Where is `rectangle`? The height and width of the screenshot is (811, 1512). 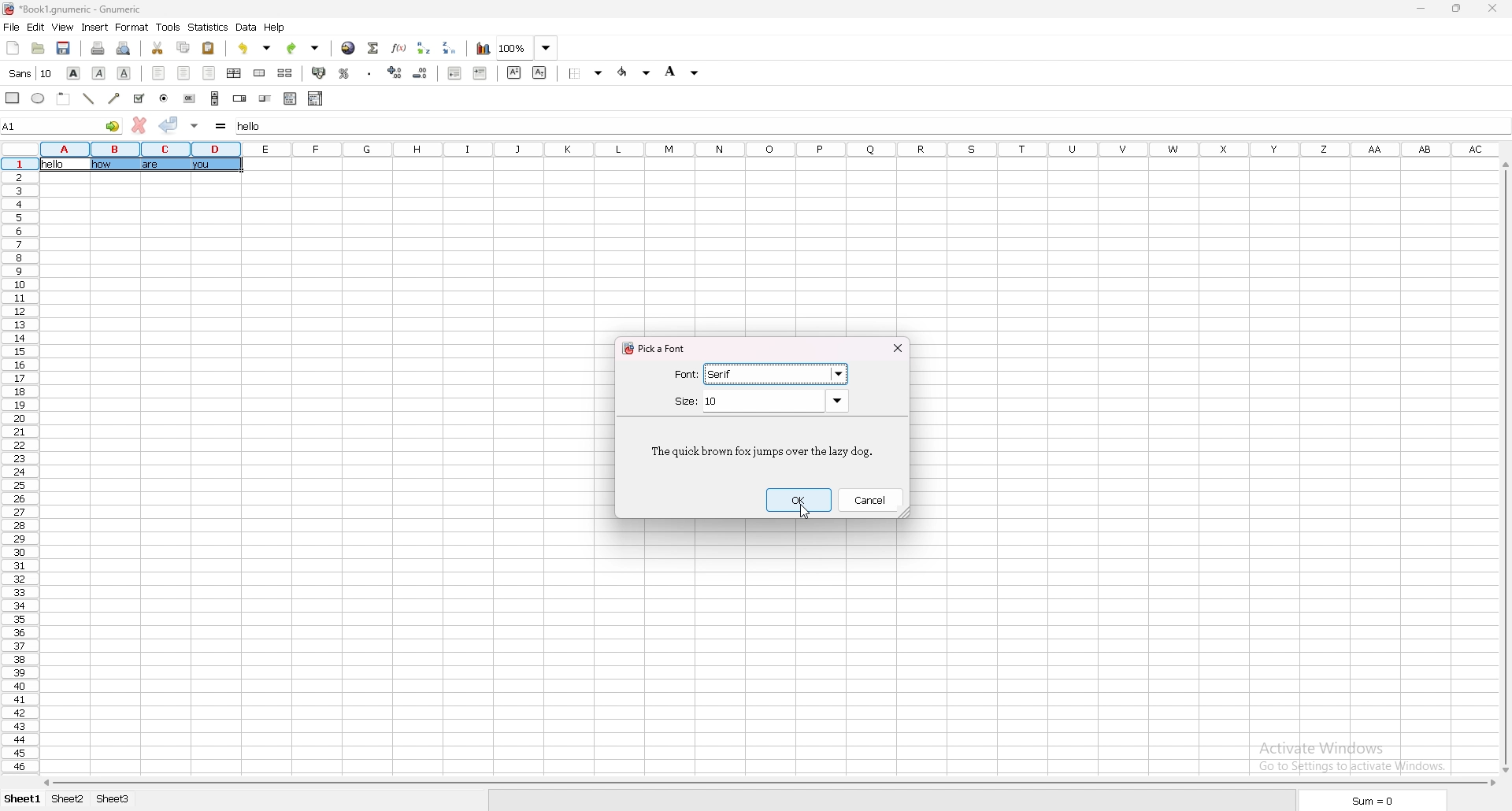
rectangle is located at coordinates (12, 98).